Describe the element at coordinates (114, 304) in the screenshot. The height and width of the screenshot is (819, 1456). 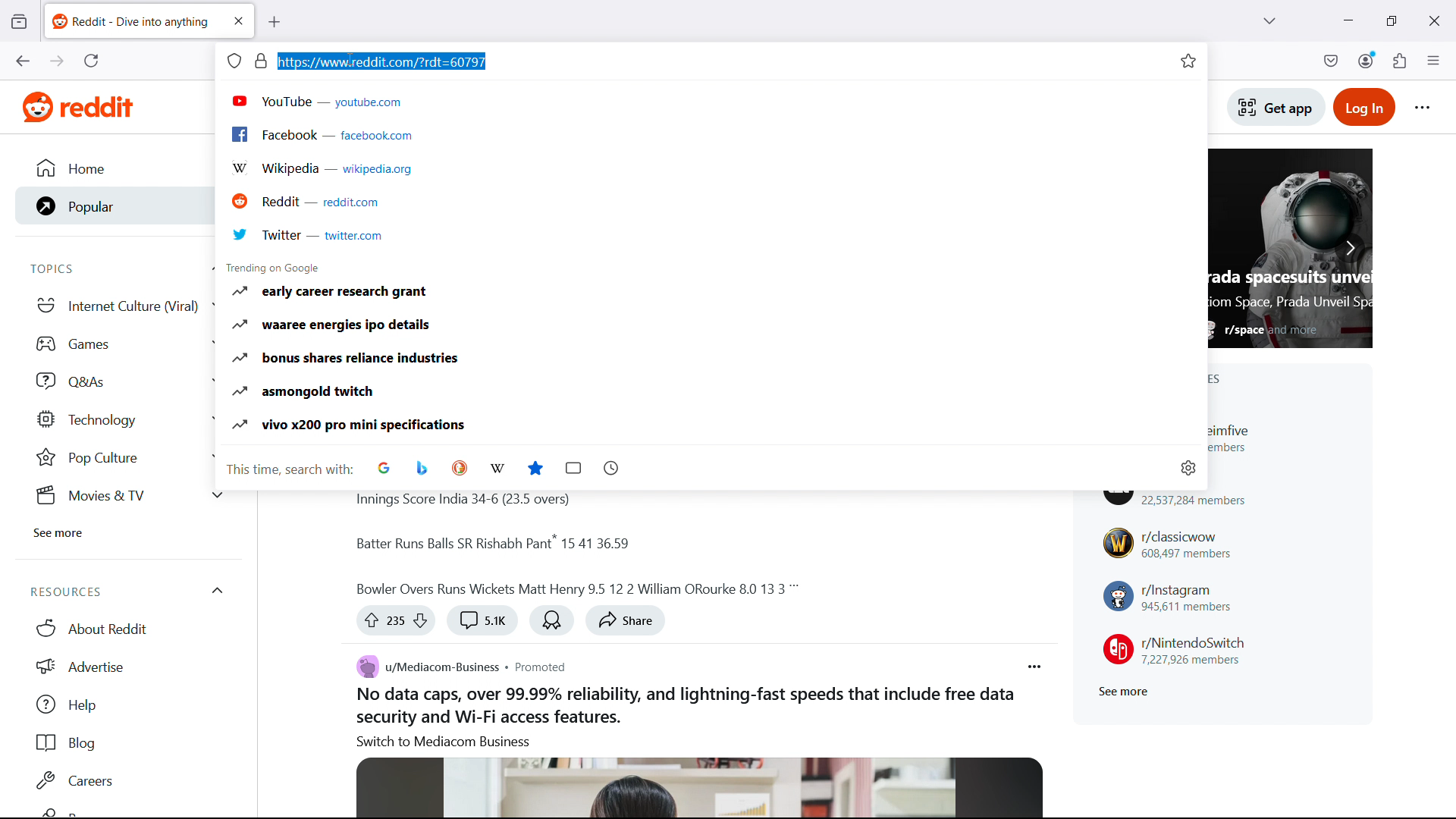
I see `Internet culture viral` at that location.